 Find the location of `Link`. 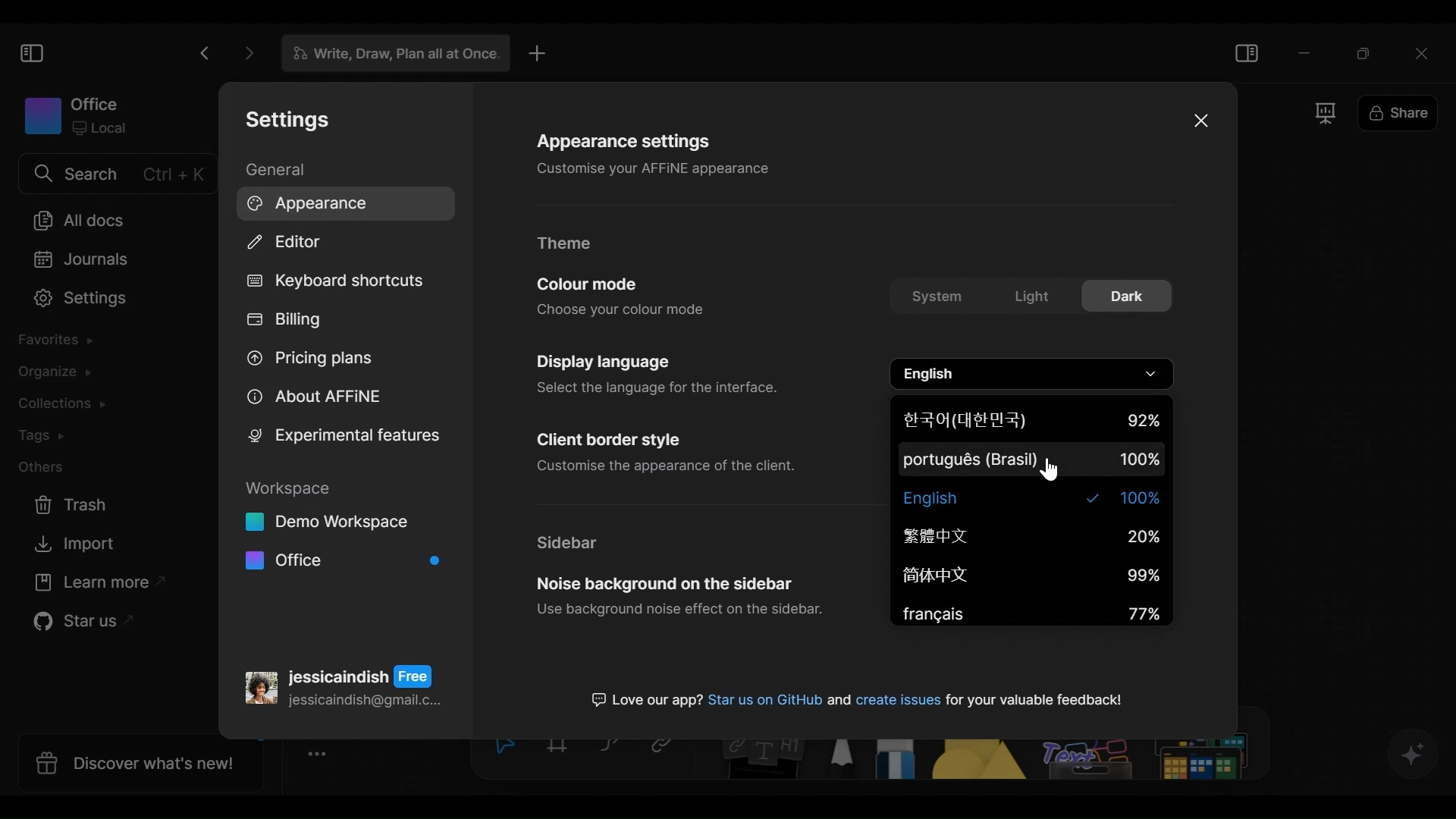

Link is located at coordinates (667, 748).